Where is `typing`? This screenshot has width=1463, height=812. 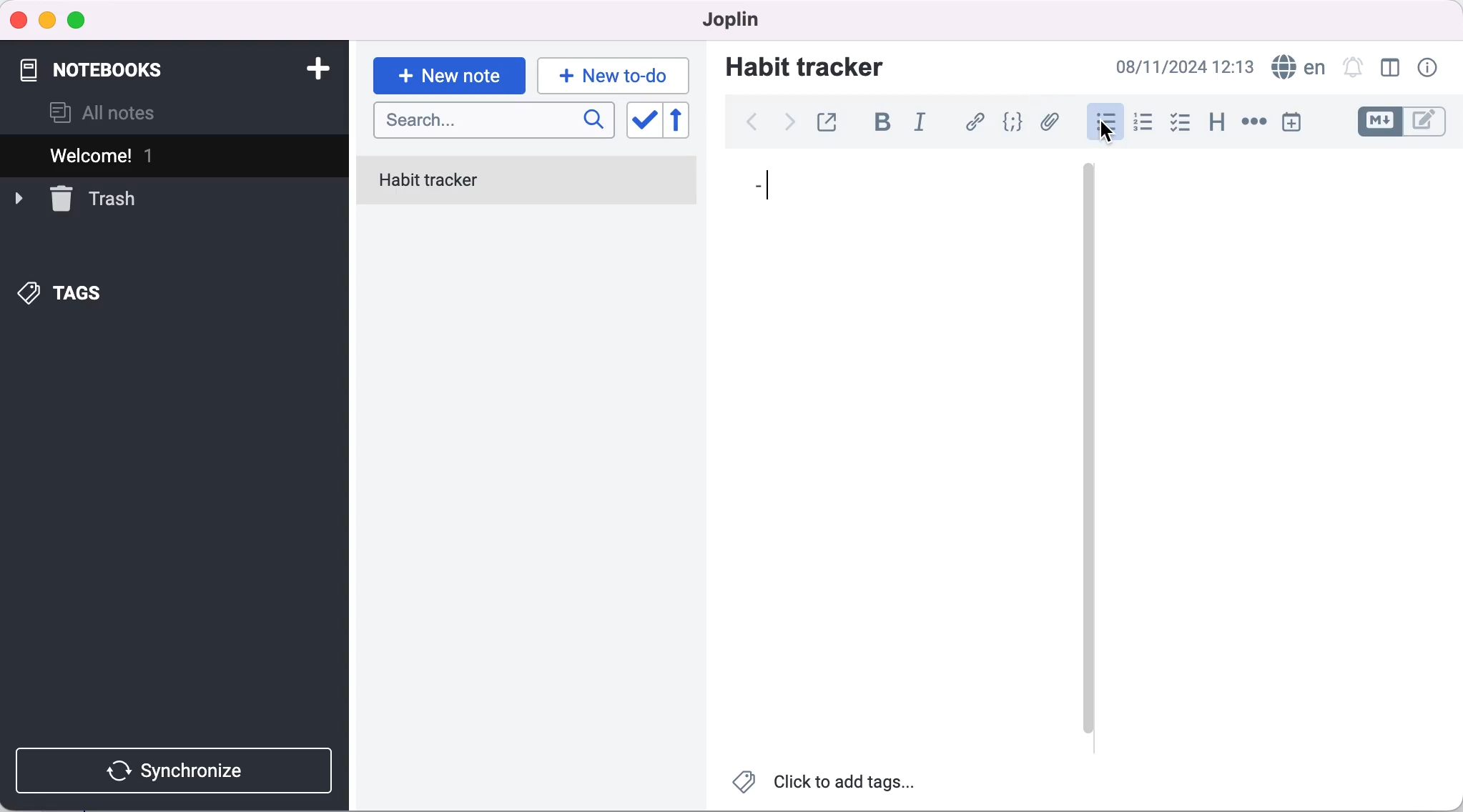
typing is located at coordinates (614, 75).